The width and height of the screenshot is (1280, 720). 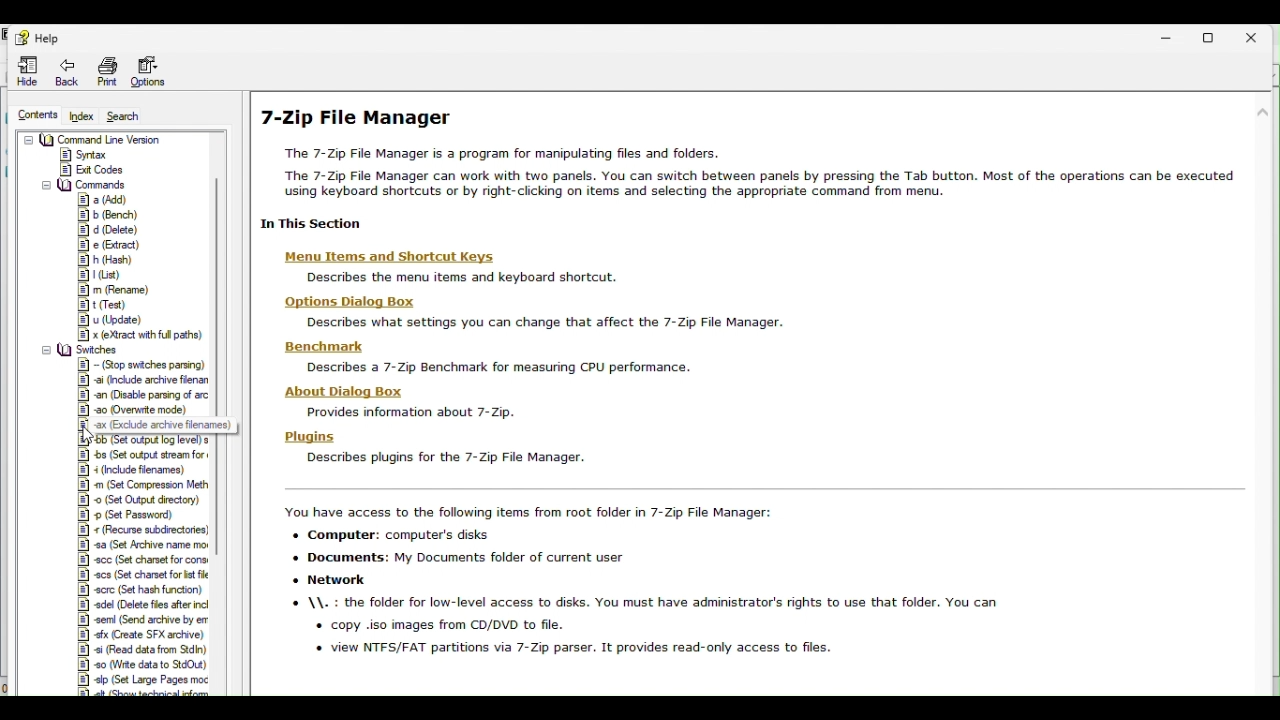 I want to click on 18] acs (Set charset for hist file, so click(x=141, y=573).